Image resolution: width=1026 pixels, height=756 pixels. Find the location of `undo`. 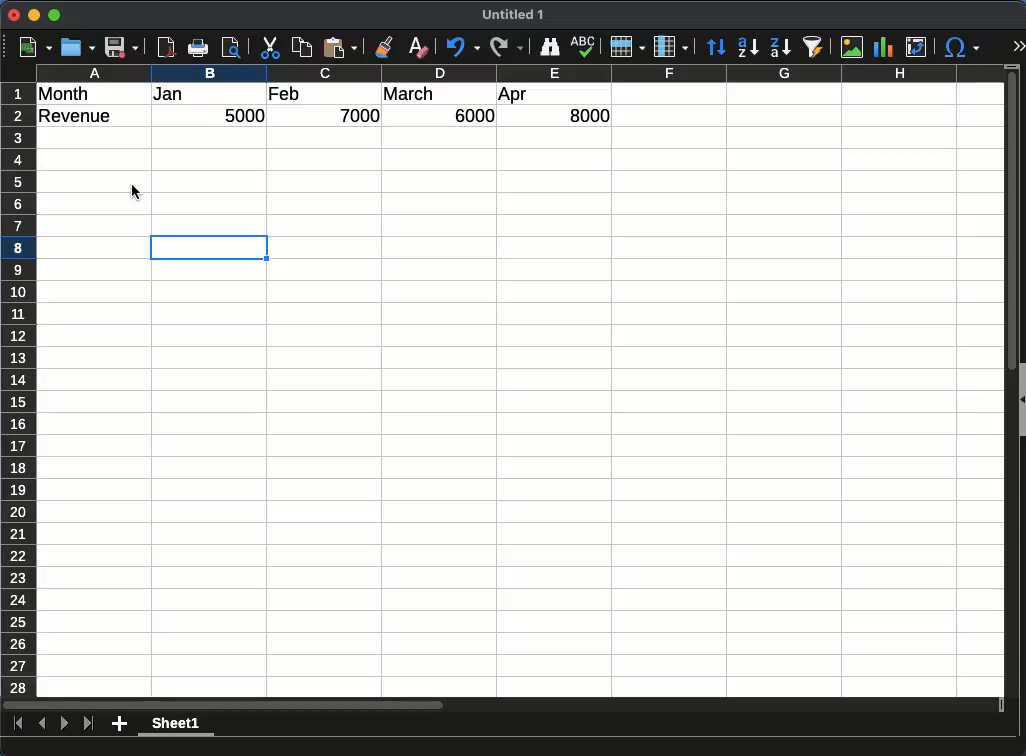

undo is located at coordinates (462, 47).